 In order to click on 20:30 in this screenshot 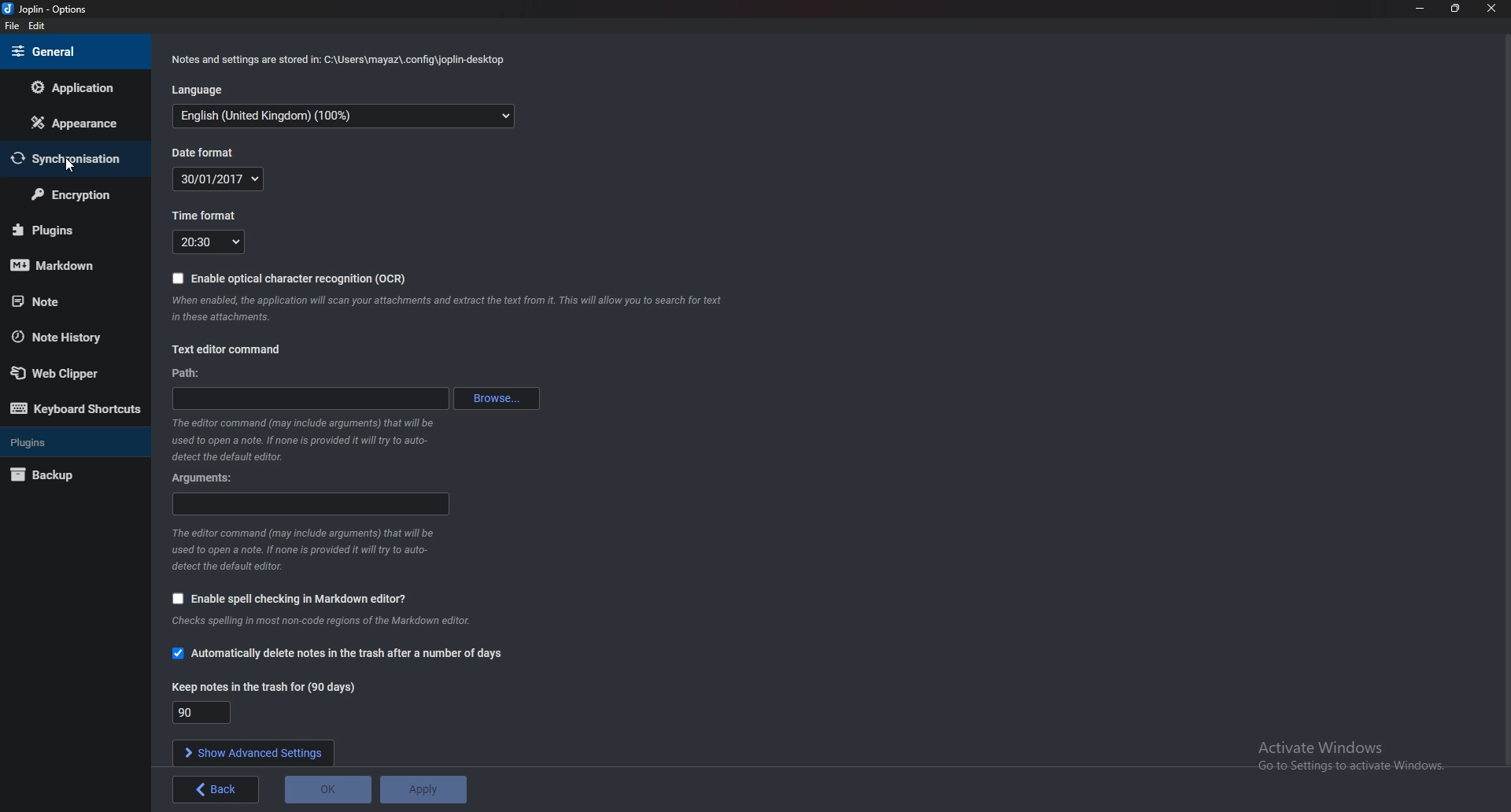, I will do `click(209, 242)`.